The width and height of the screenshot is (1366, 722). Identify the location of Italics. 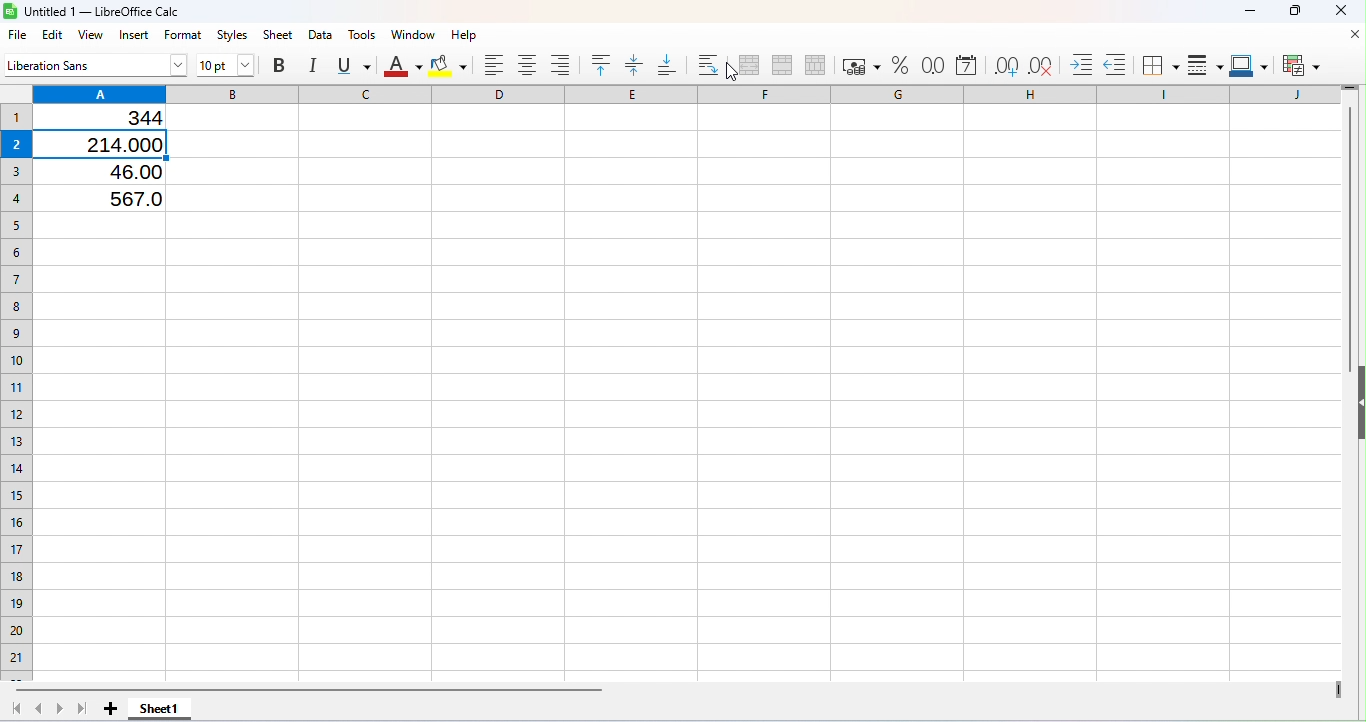
(314, 62).